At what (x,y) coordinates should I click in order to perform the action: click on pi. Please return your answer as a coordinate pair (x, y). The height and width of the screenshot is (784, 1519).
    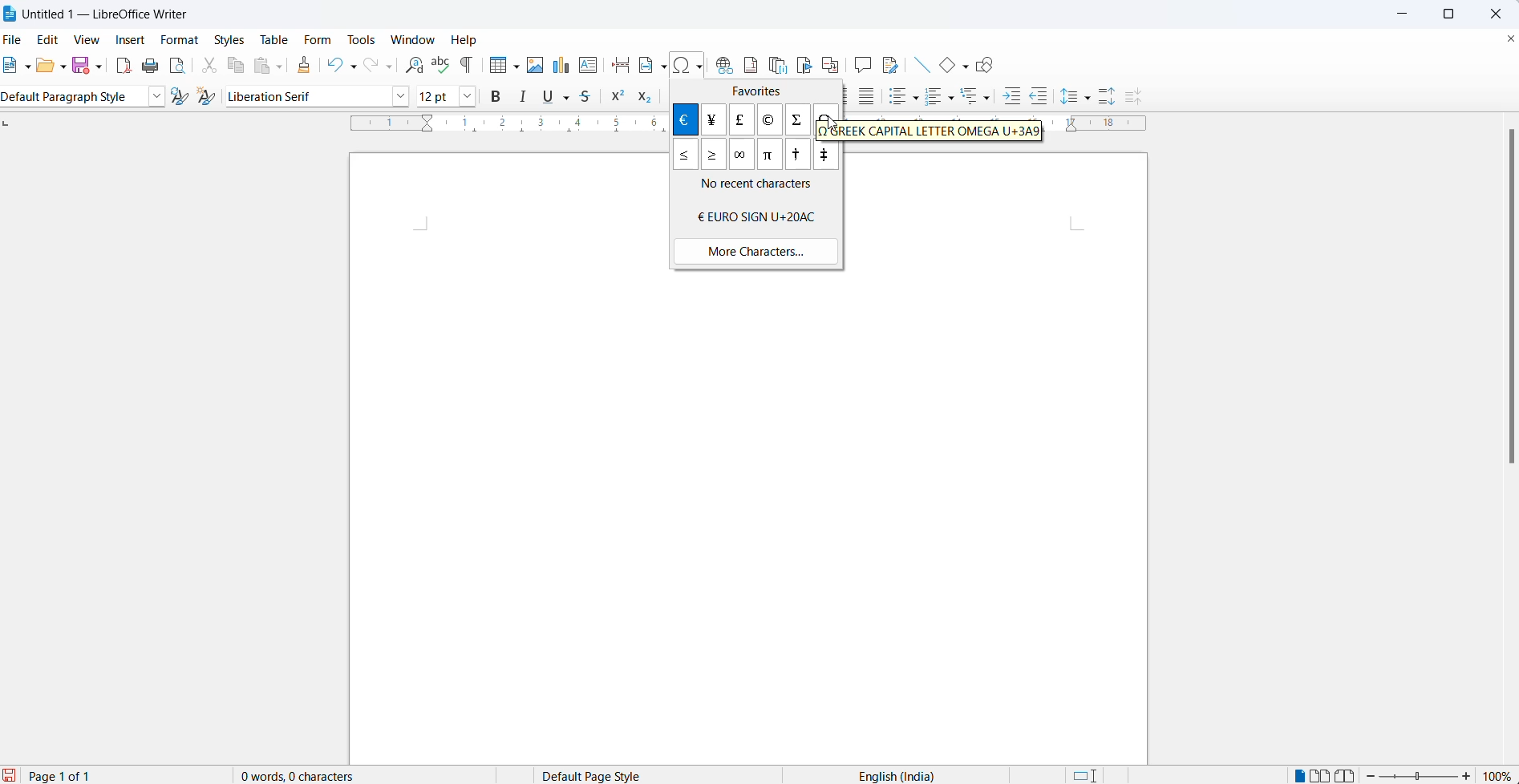
    Looking at the image, I should click on (771, 157).